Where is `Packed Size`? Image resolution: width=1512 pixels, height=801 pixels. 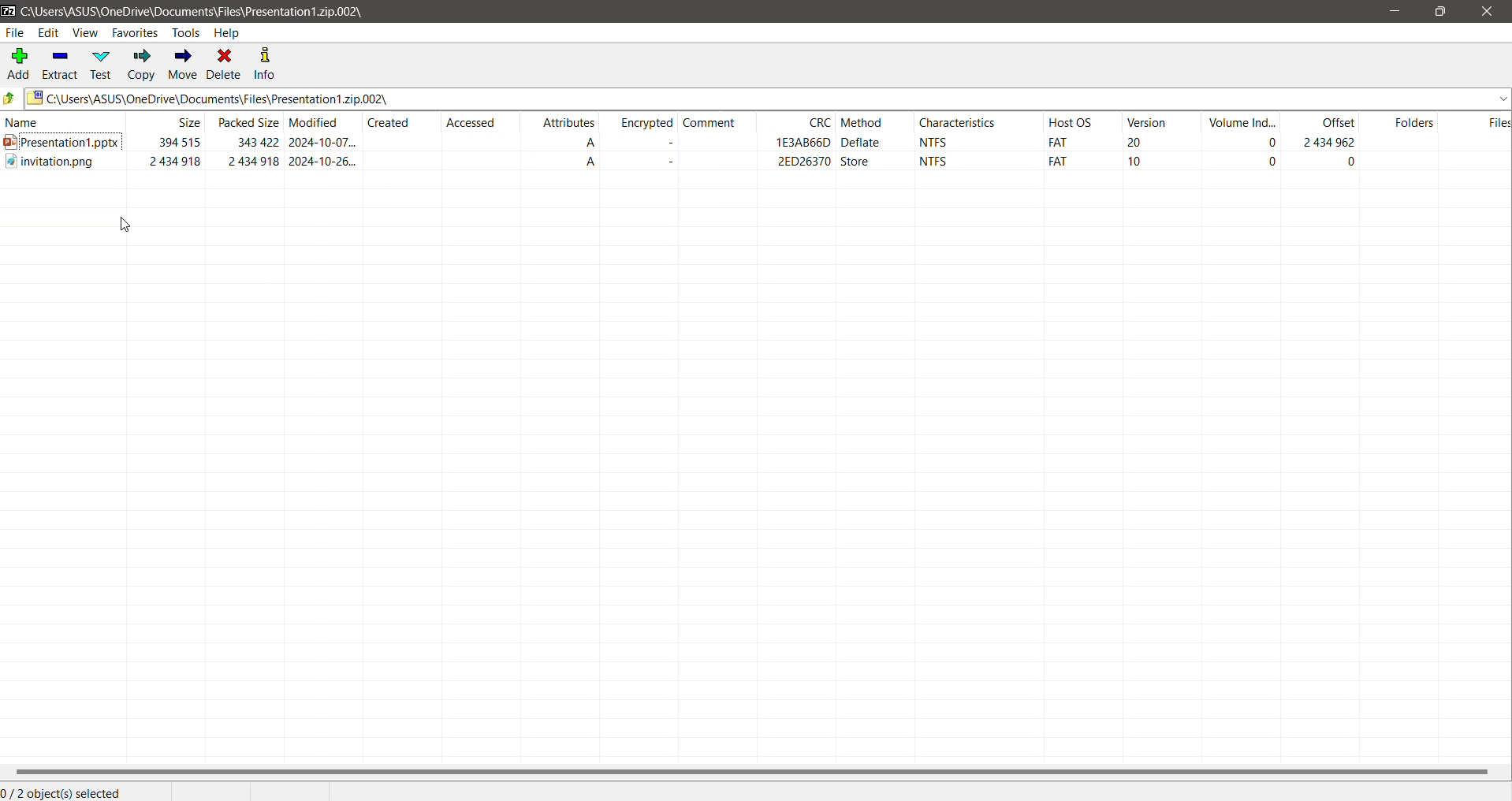
Packed Size is located at coordinates (245, 121).